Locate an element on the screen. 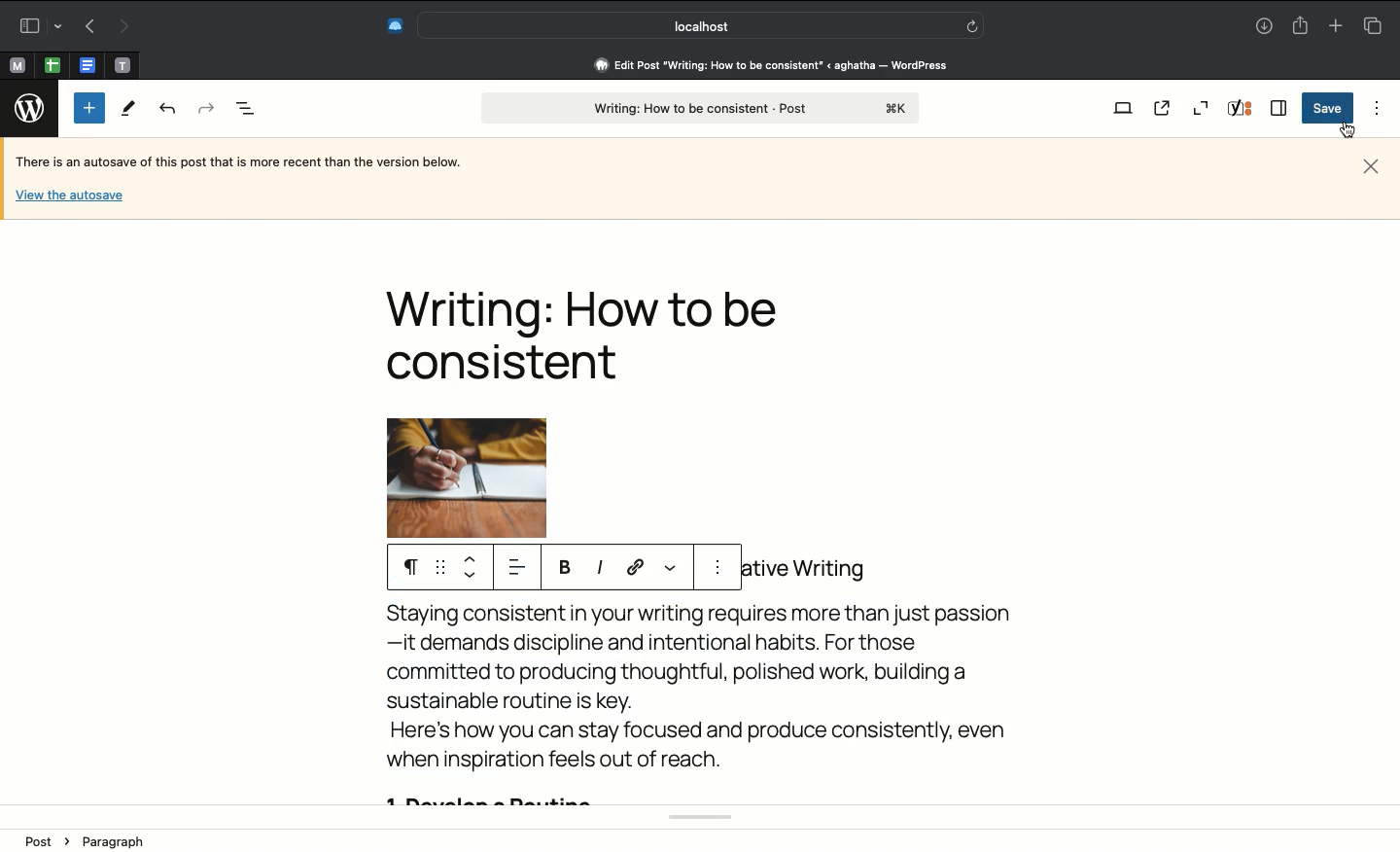 The width and height of the screenshot is (1400, 852). pinned tab, google docs is located at coordinates (86, 61).